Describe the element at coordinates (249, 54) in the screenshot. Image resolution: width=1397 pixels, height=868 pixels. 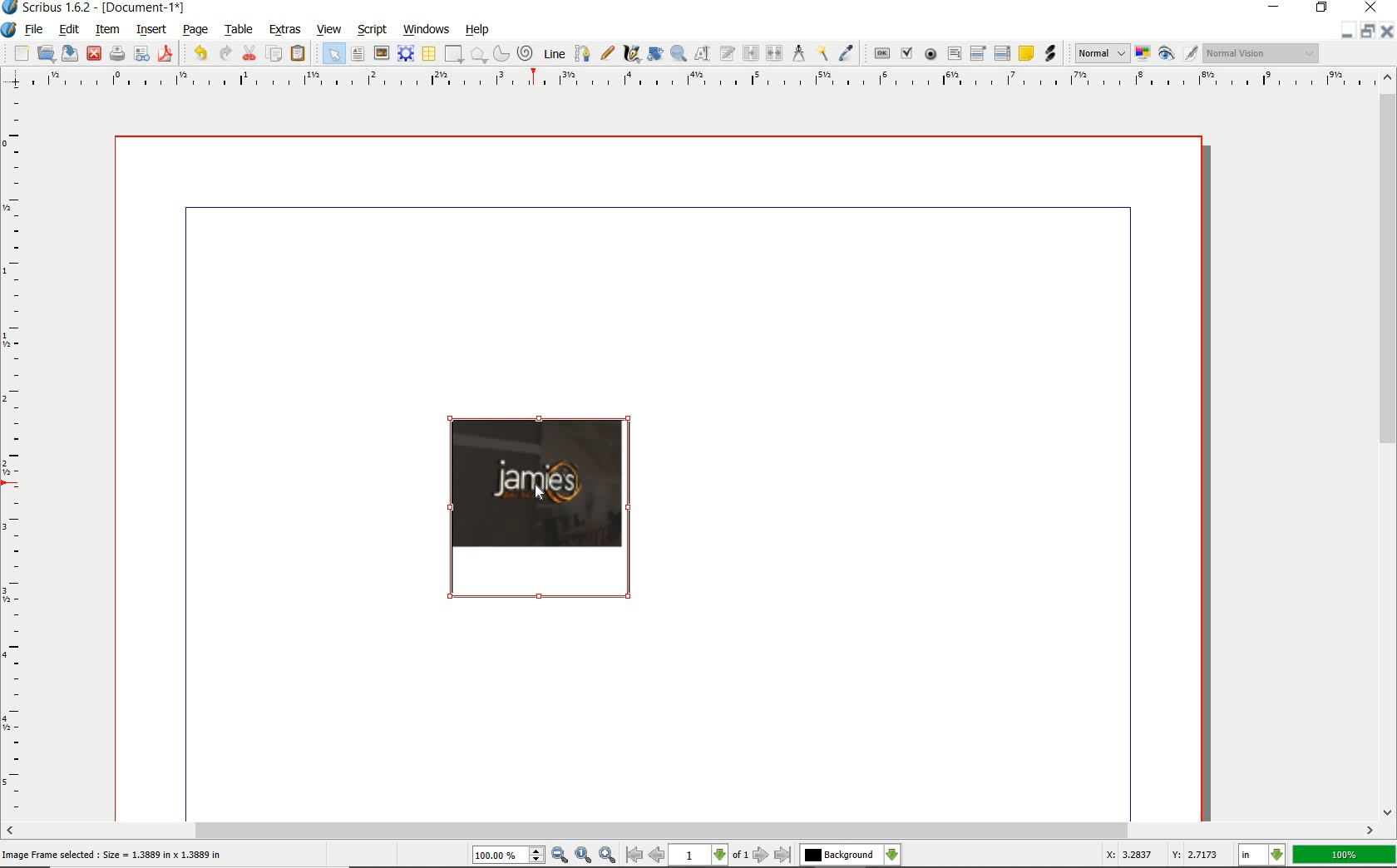
I see `CUT` at that location.